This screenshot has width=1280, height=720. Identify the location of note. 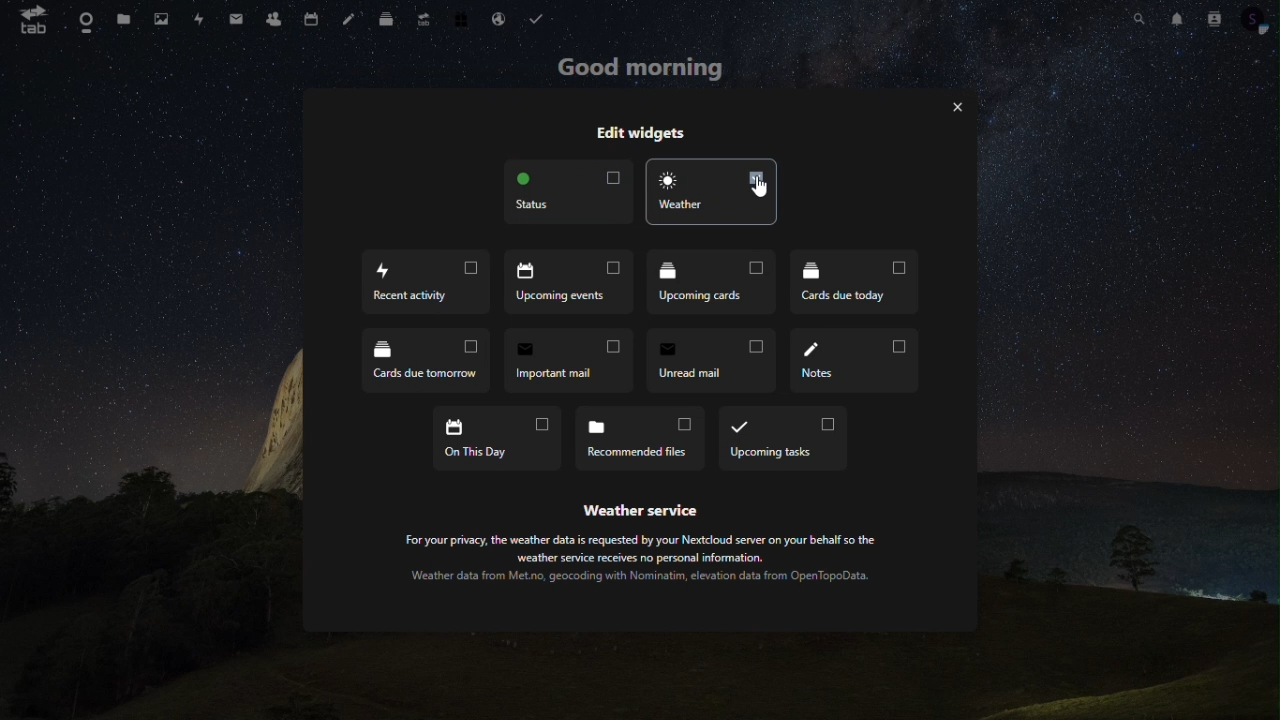
(349, 20).